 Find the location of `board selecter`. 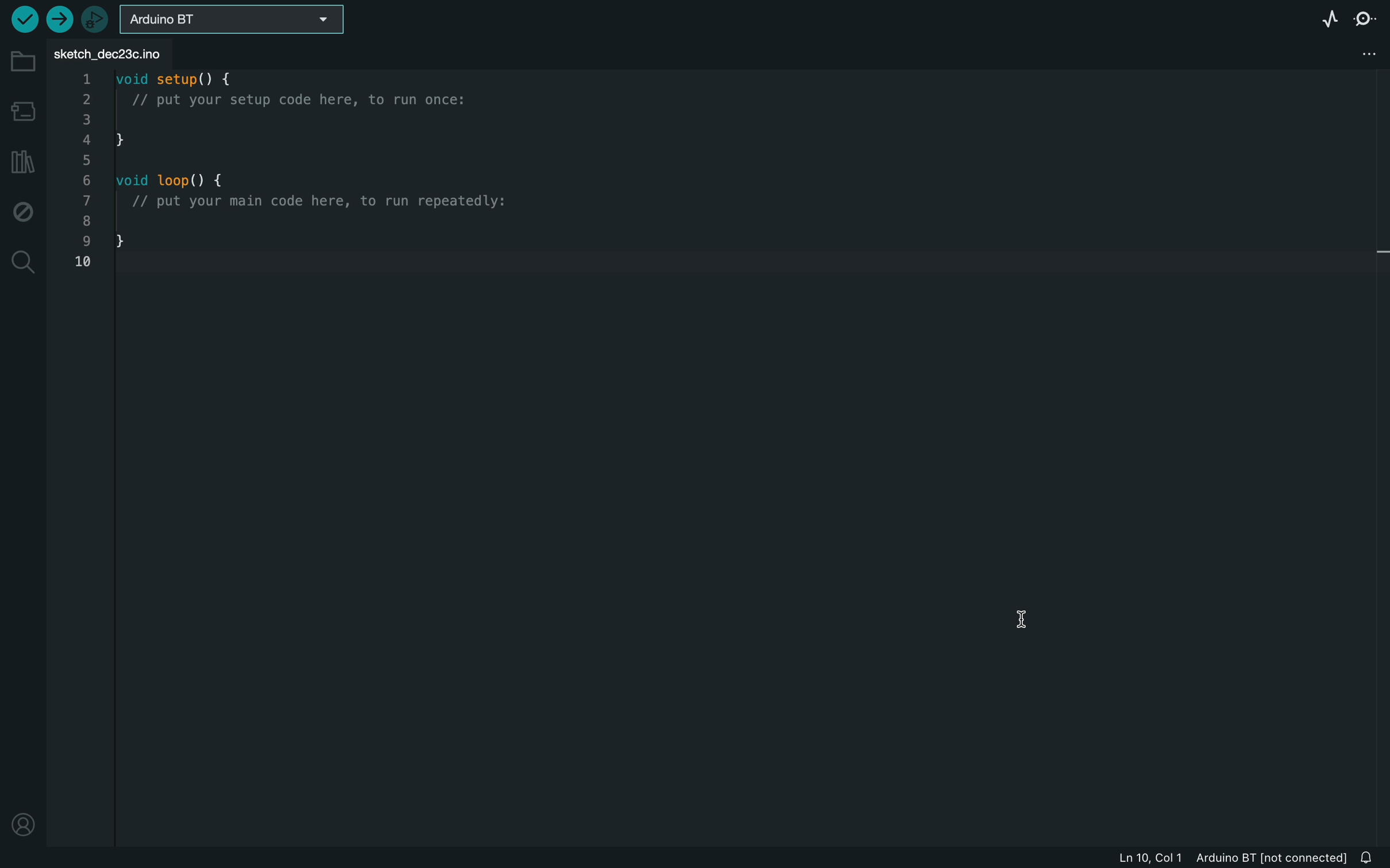

board selecter is located at coordinates (238, 21).